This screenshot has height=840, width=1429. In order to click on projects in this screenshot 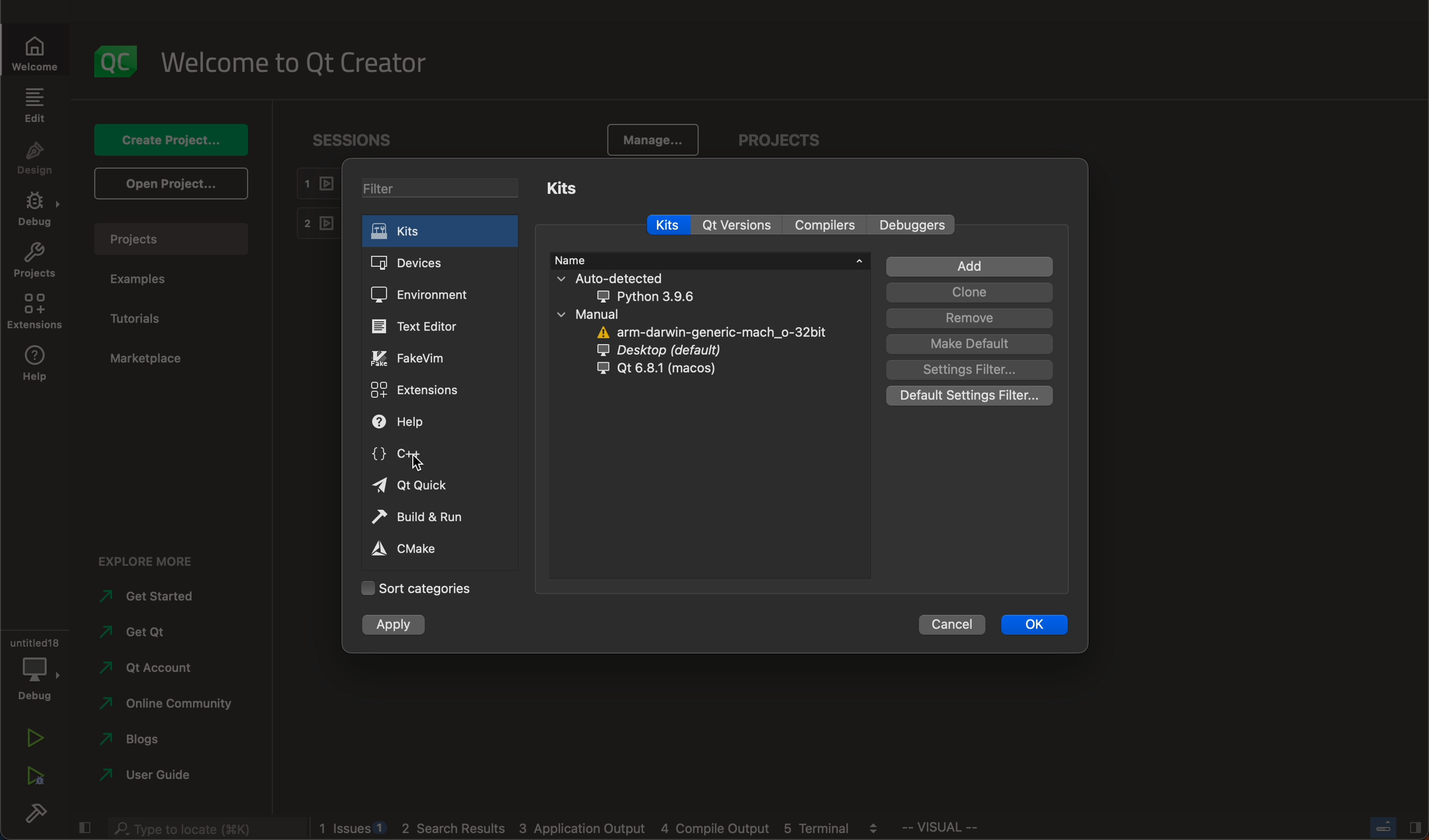, I will do `click(177, 239)`.